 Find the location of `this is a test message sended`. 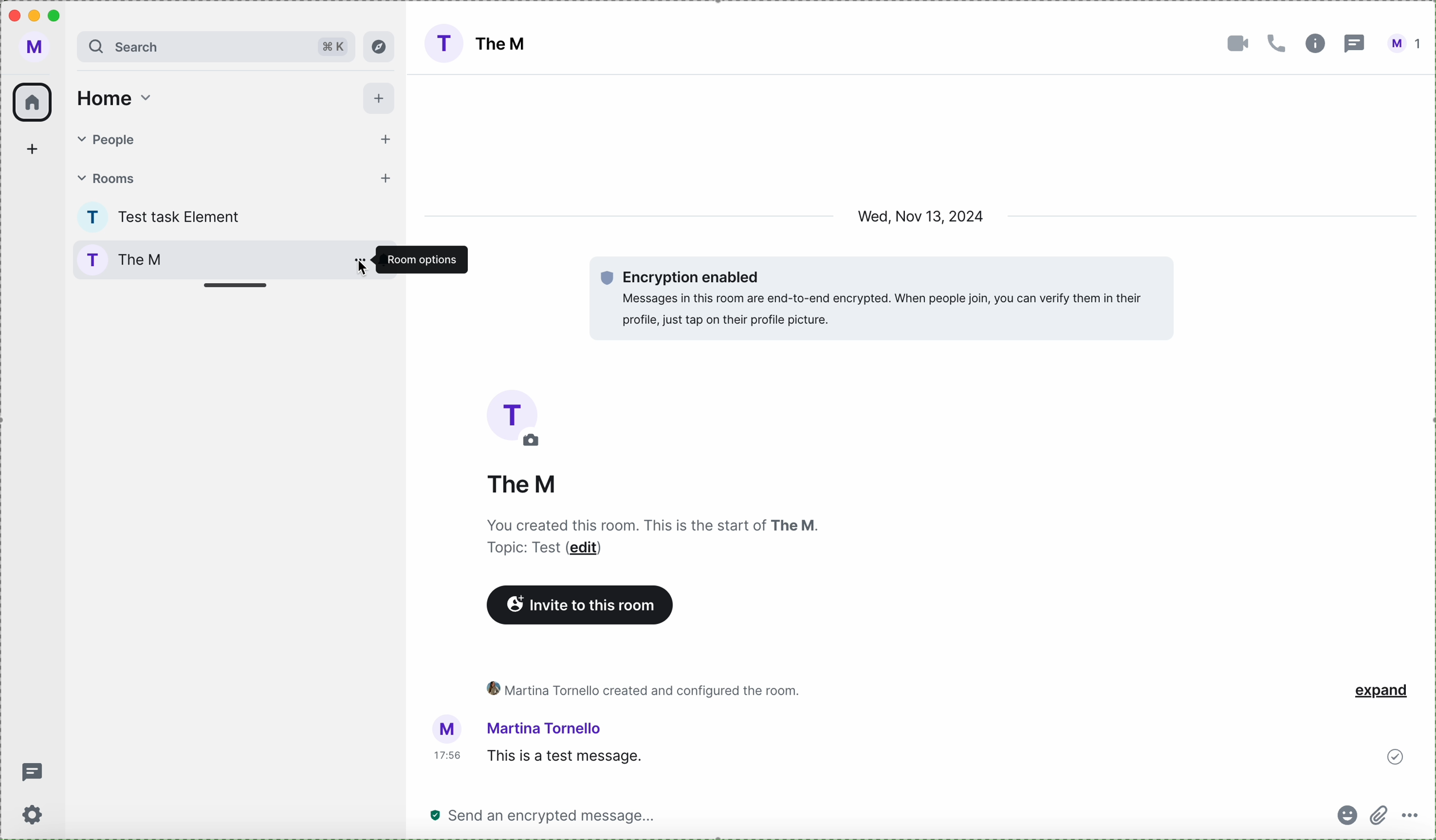

this is a test message sended is located at coordinates (918, 756).